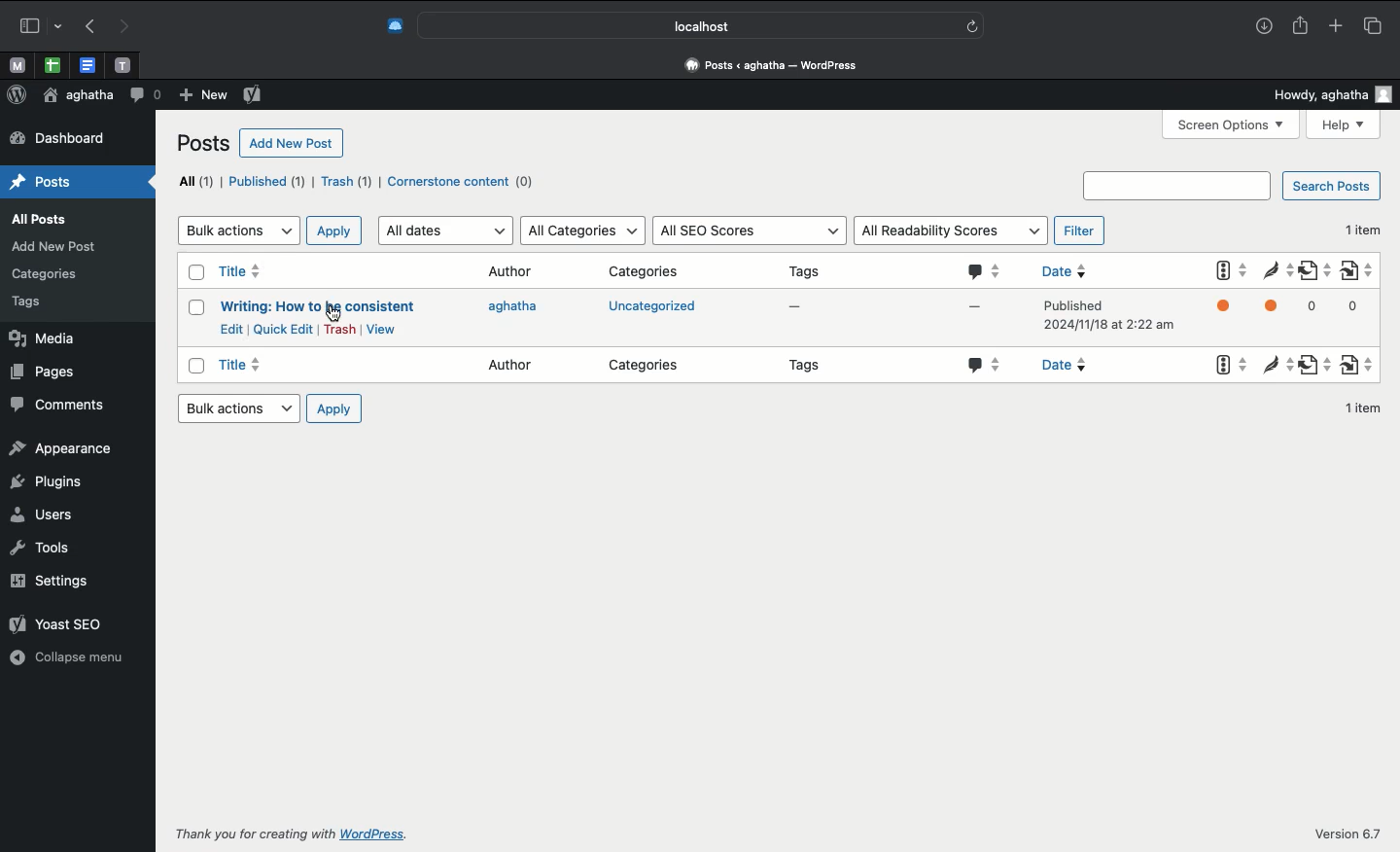 The height and width of the screenshot is (852, 1400). What do you see at coordinates (1355, 306) in the screenshot?
I see `0` at bounding box center [1355, 306].